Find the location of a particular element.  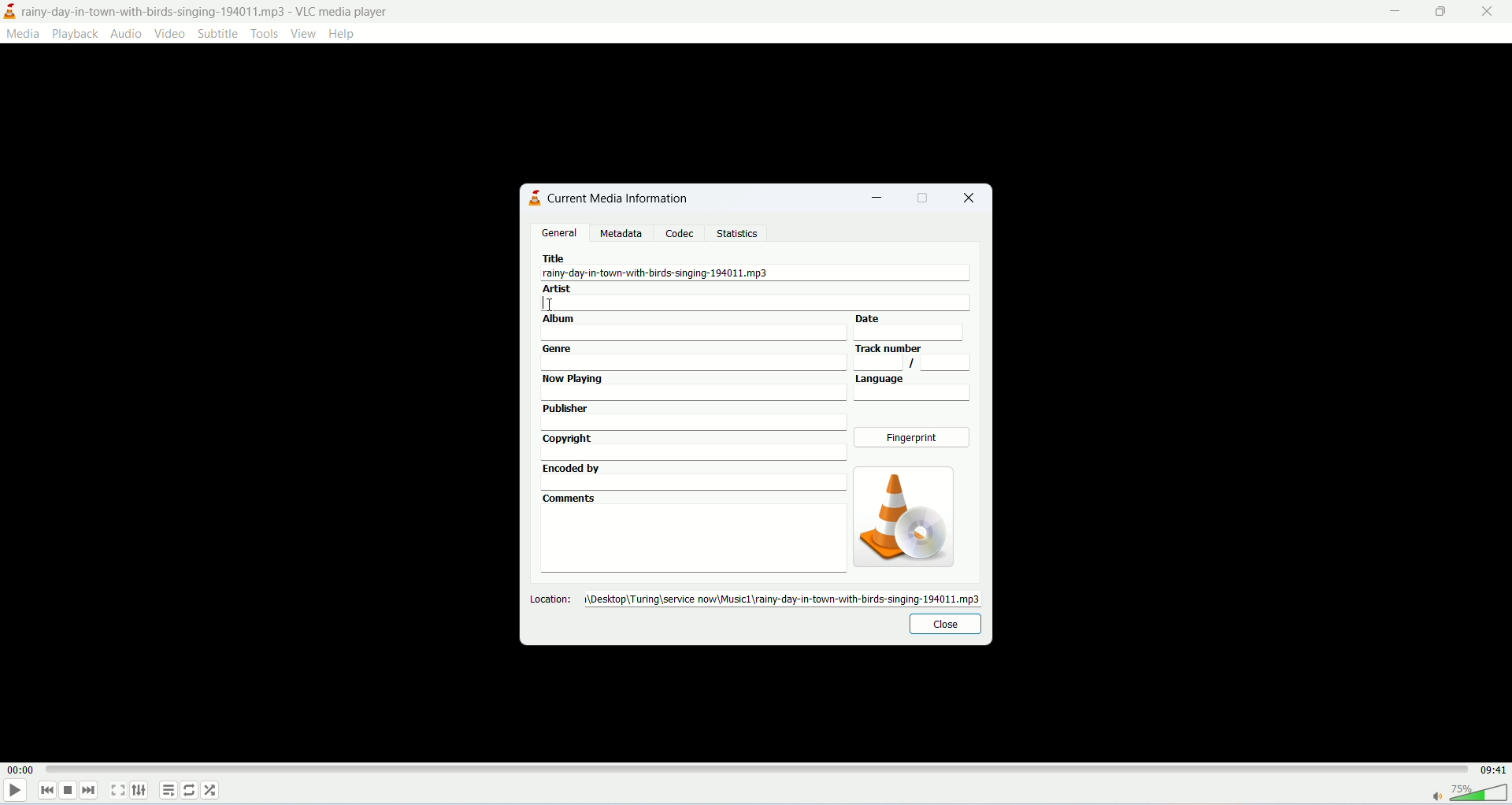

help is located at coordinates (345, 35).